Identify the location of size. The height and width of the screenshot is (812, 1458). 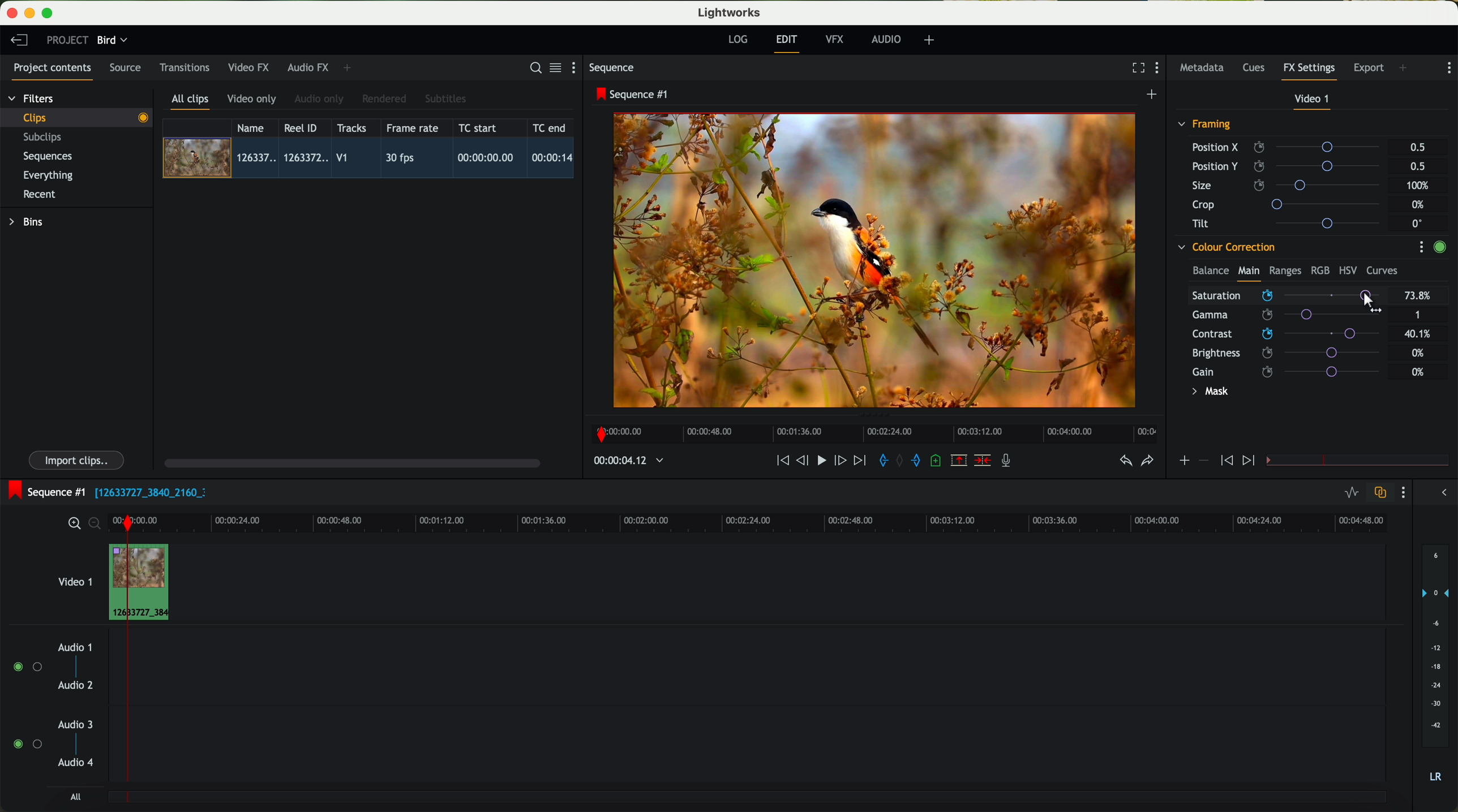
(1289, 186).